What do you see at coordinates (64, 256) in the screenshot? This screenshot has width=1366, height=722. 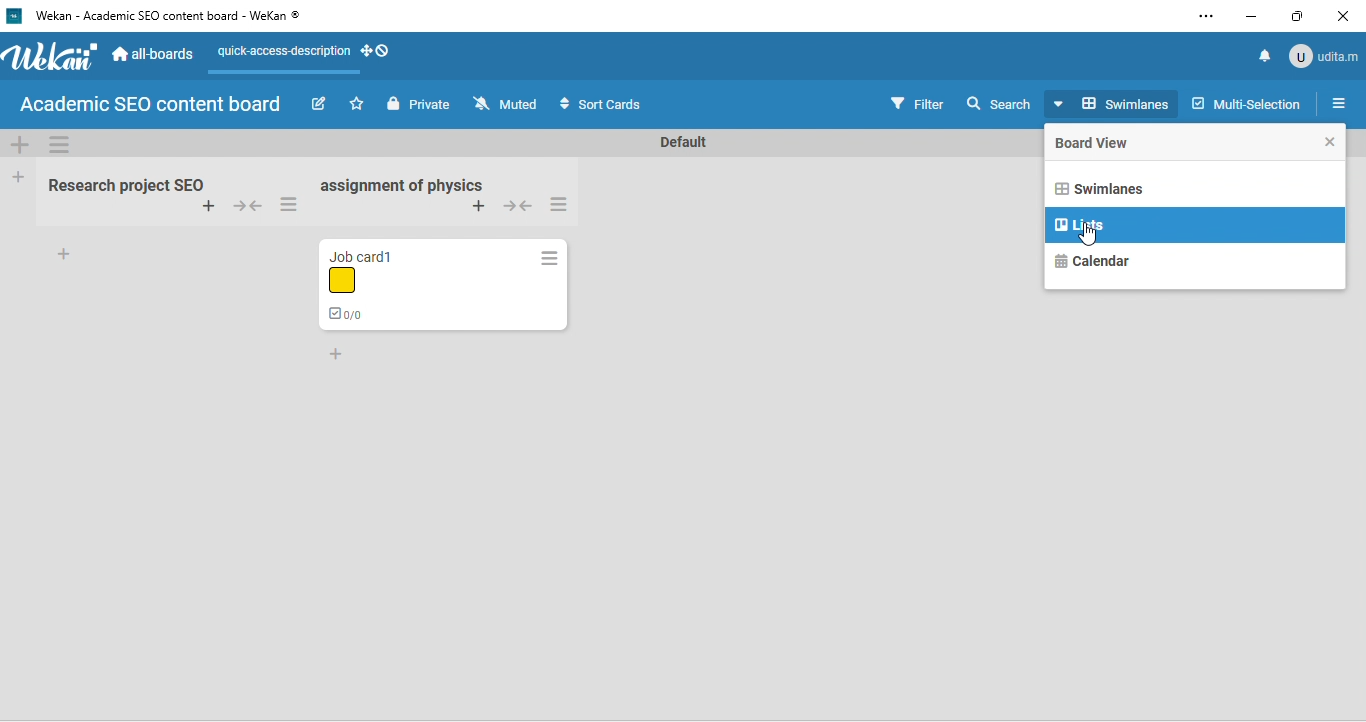 I see `add` at bounding box center [64, 256].